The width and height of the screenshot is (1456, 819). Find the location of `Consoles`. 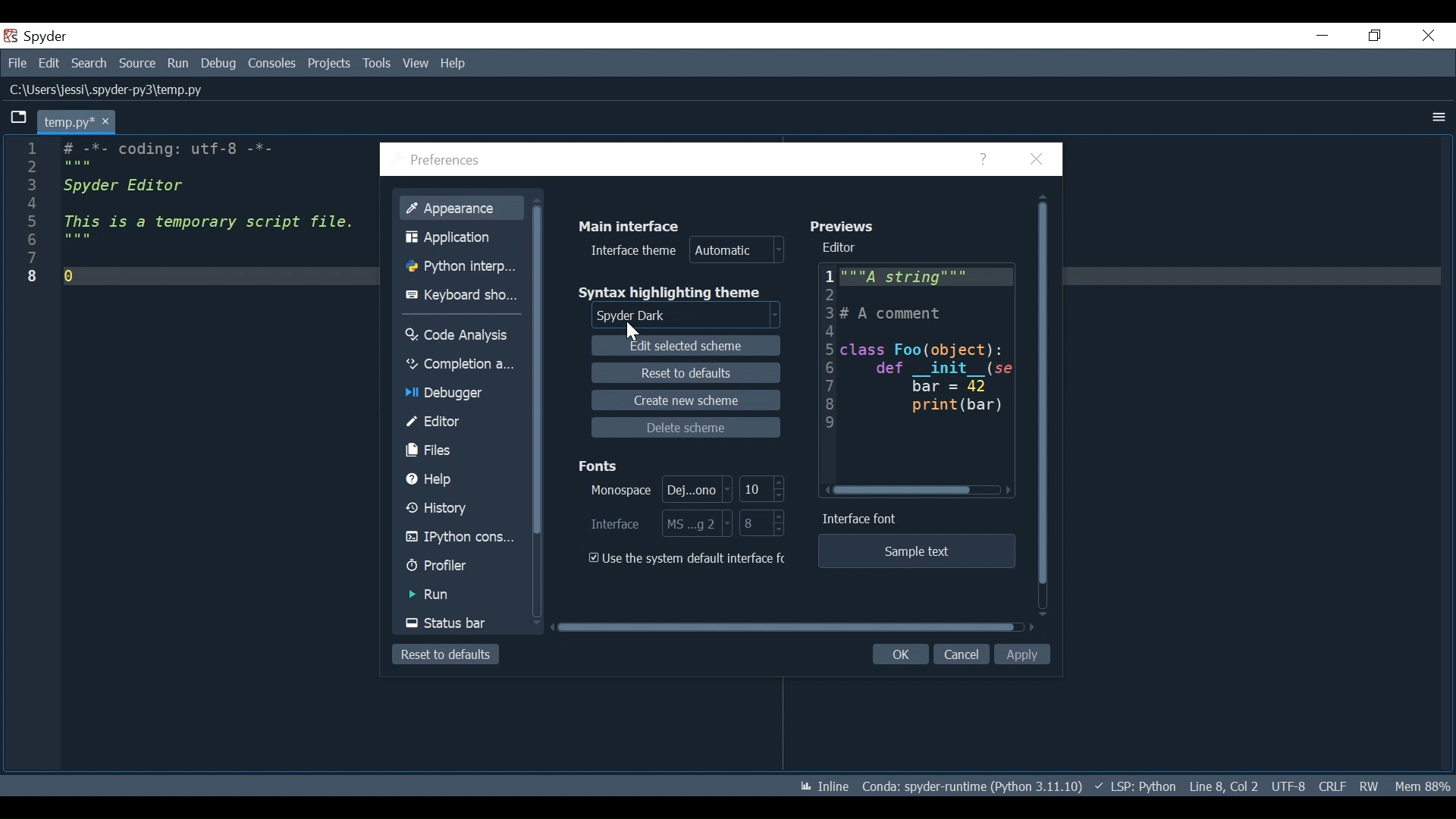

Consoles is located at coordinates (272, 64).